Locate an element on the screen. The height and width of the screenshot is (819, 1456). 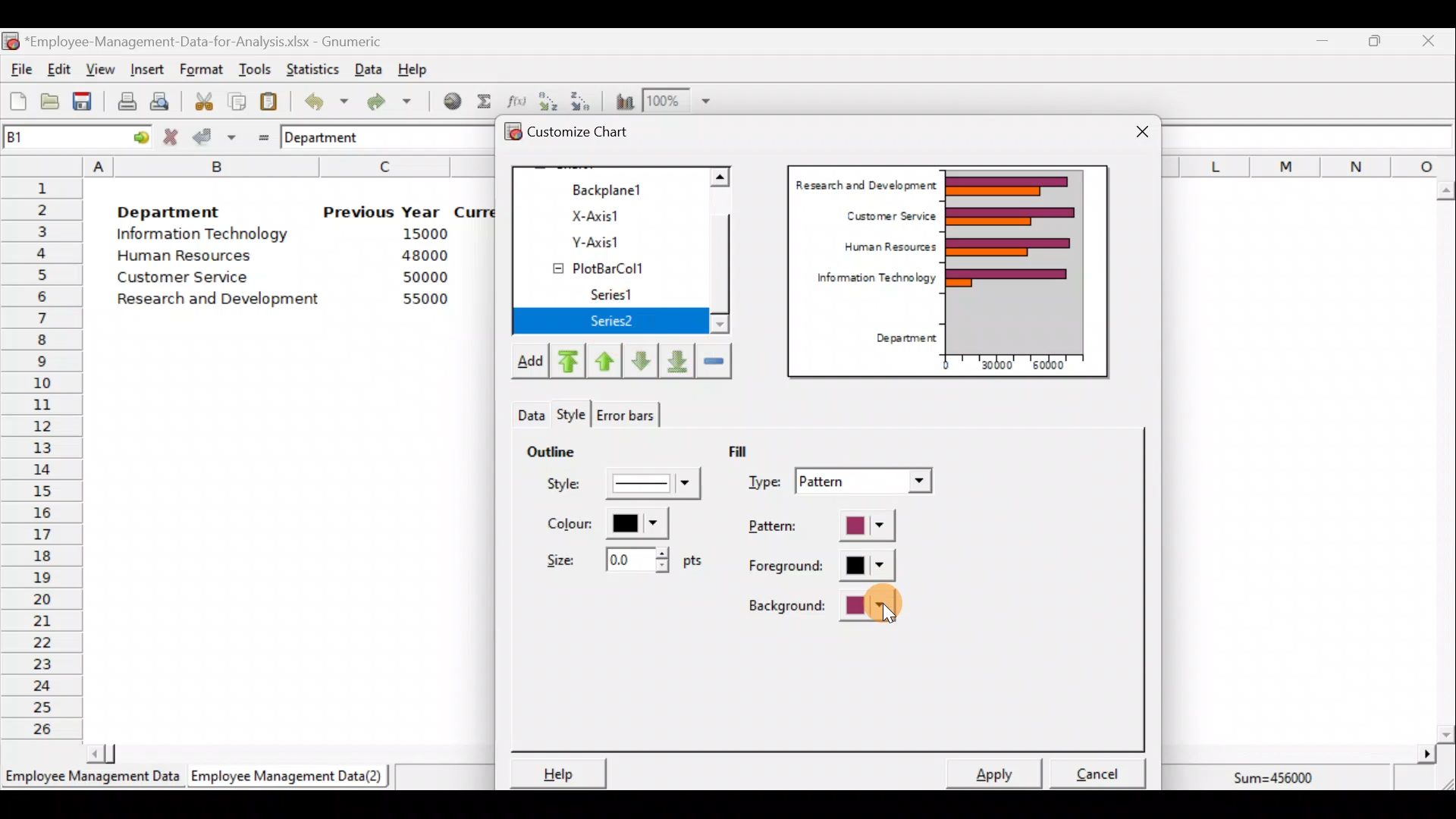
Add is located at coordinates (529, 364).